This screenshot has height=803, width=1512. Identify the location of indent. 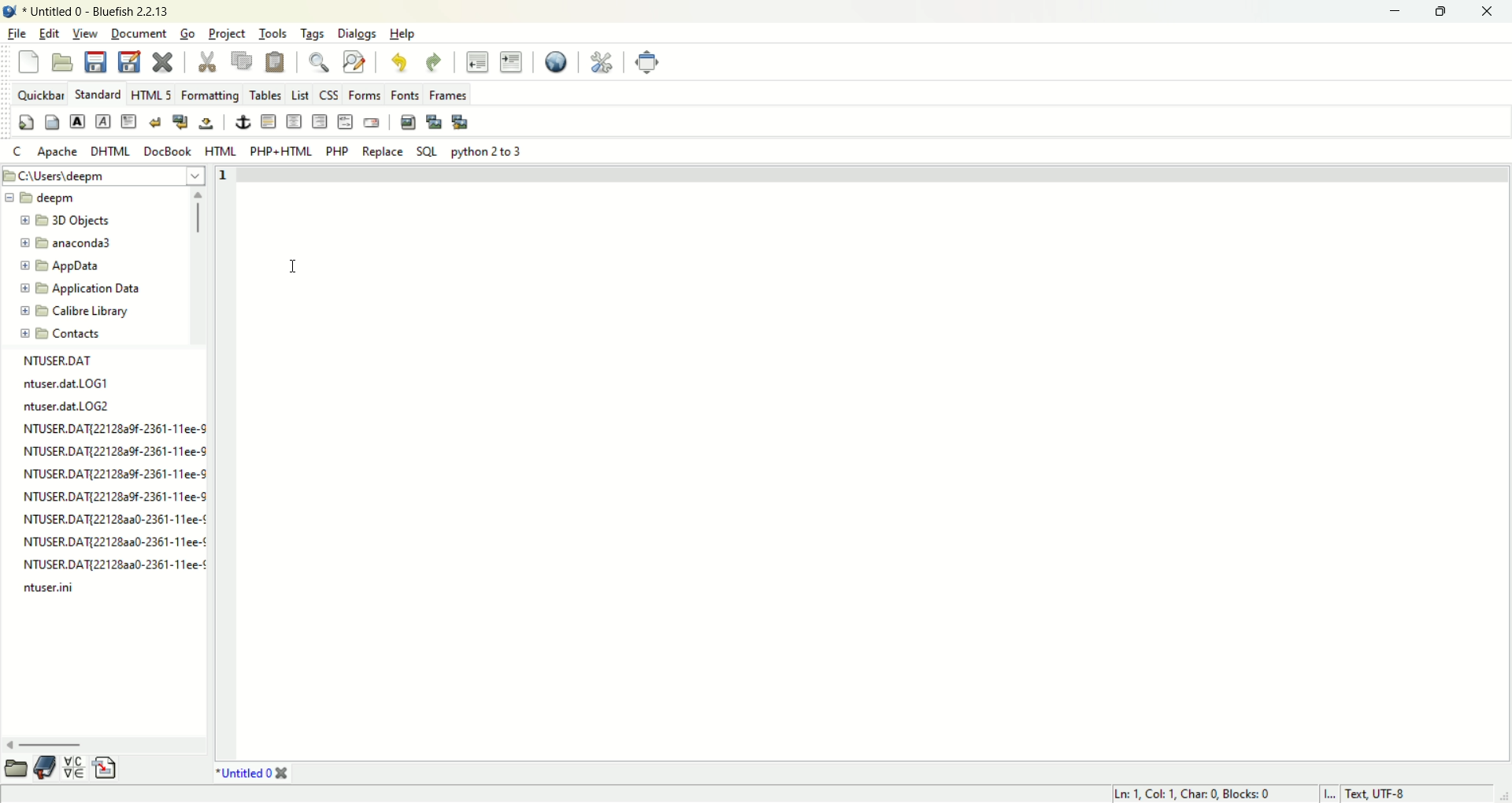
(511, 61).